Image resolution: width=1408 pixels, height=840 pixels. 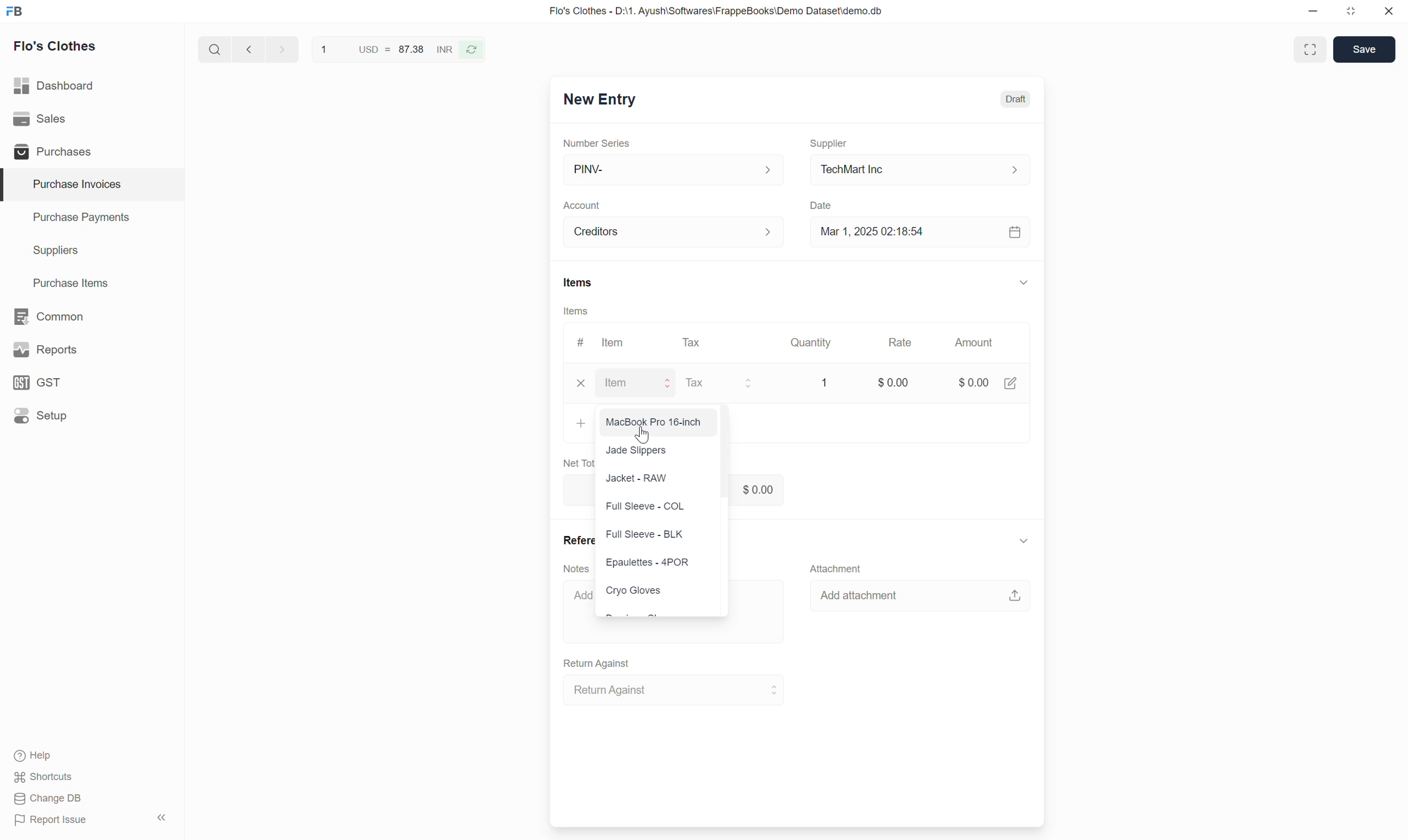 I want to click on Date, so click(x=822, y=206).